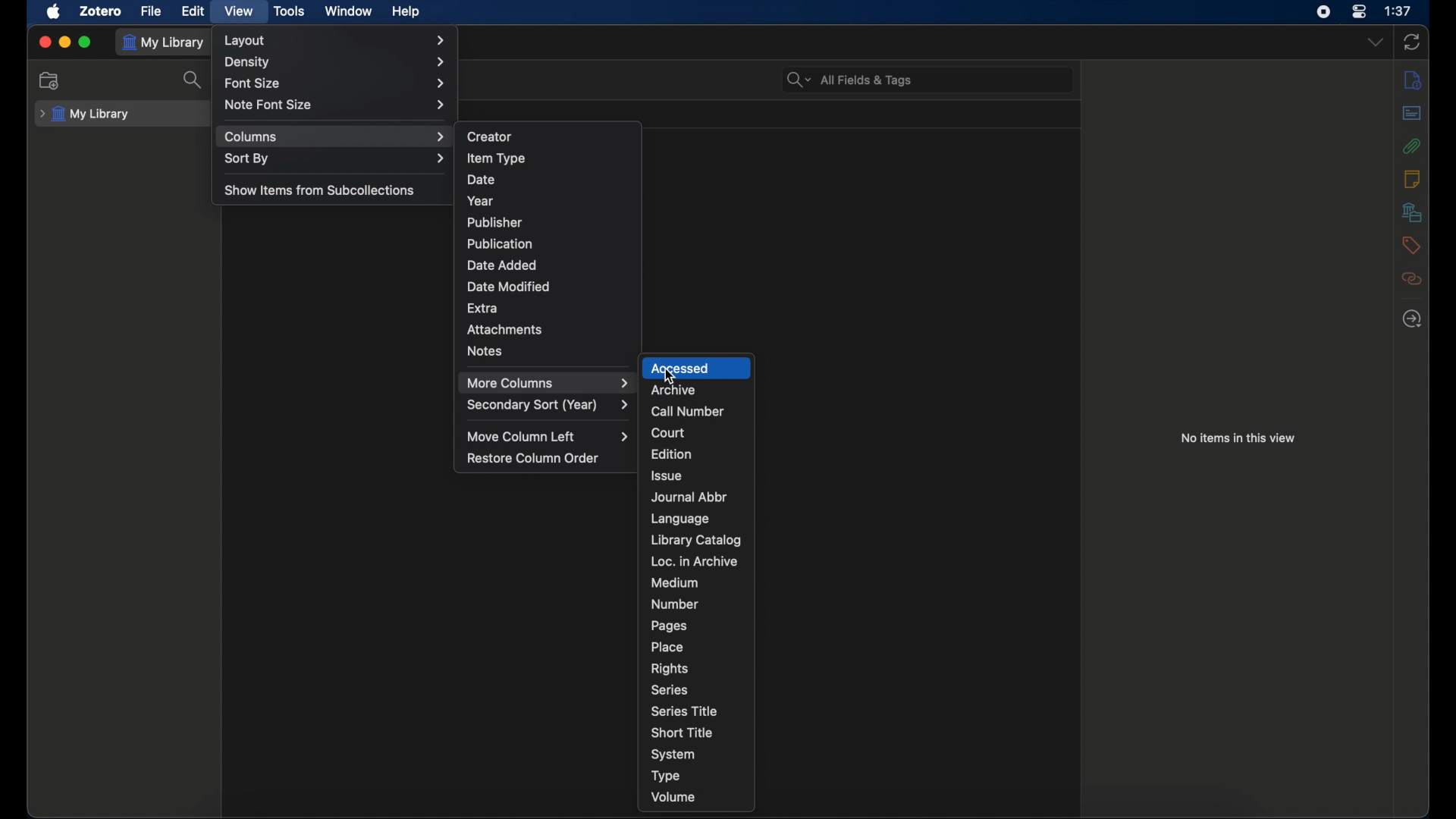 The width and height of the screenshot is (1456, 819). Describe the element at coordinates (1398, 11) in the screenshot. I see `1:37` at that location.